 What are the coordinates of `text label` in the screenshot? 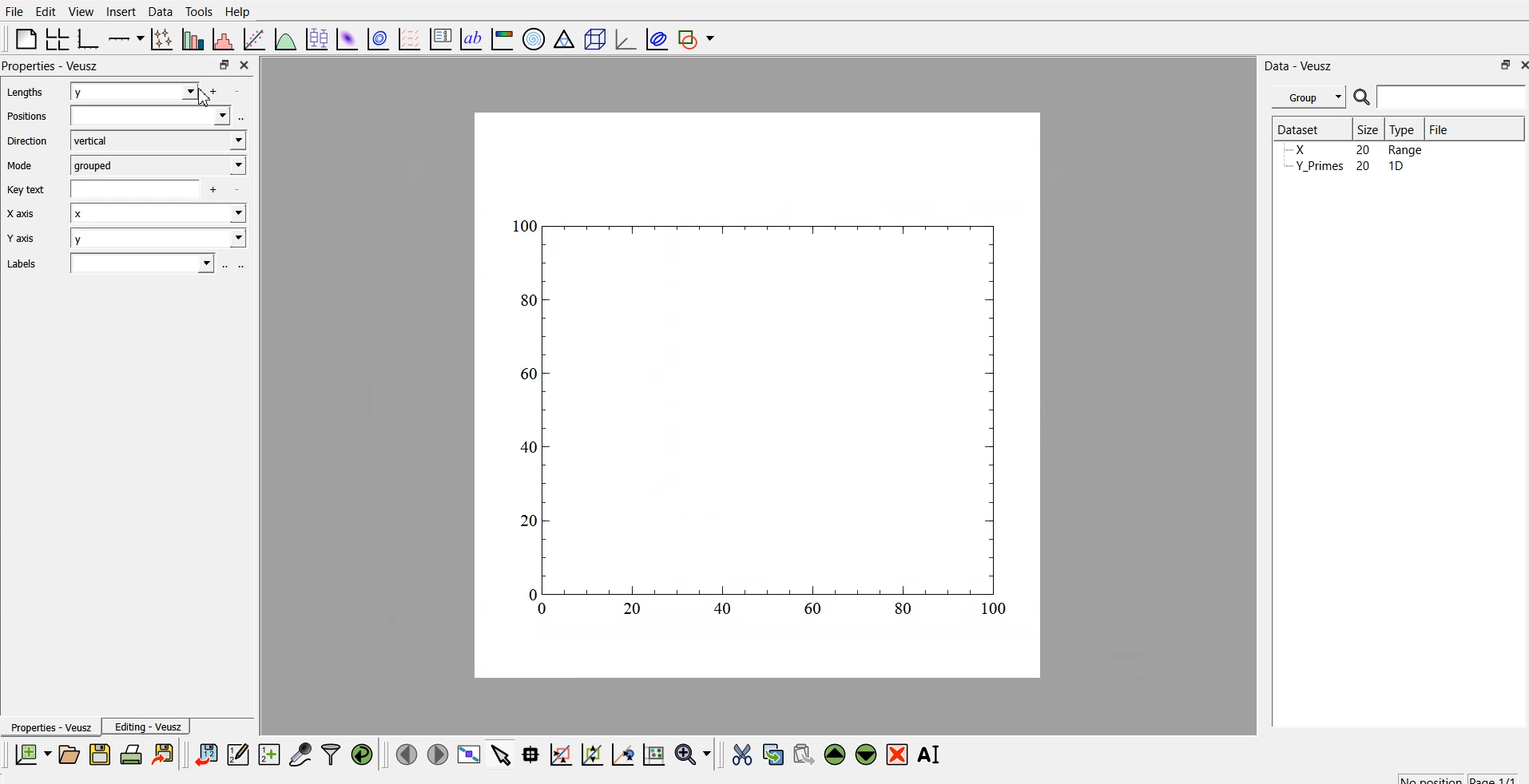 It's located at (469, 39).